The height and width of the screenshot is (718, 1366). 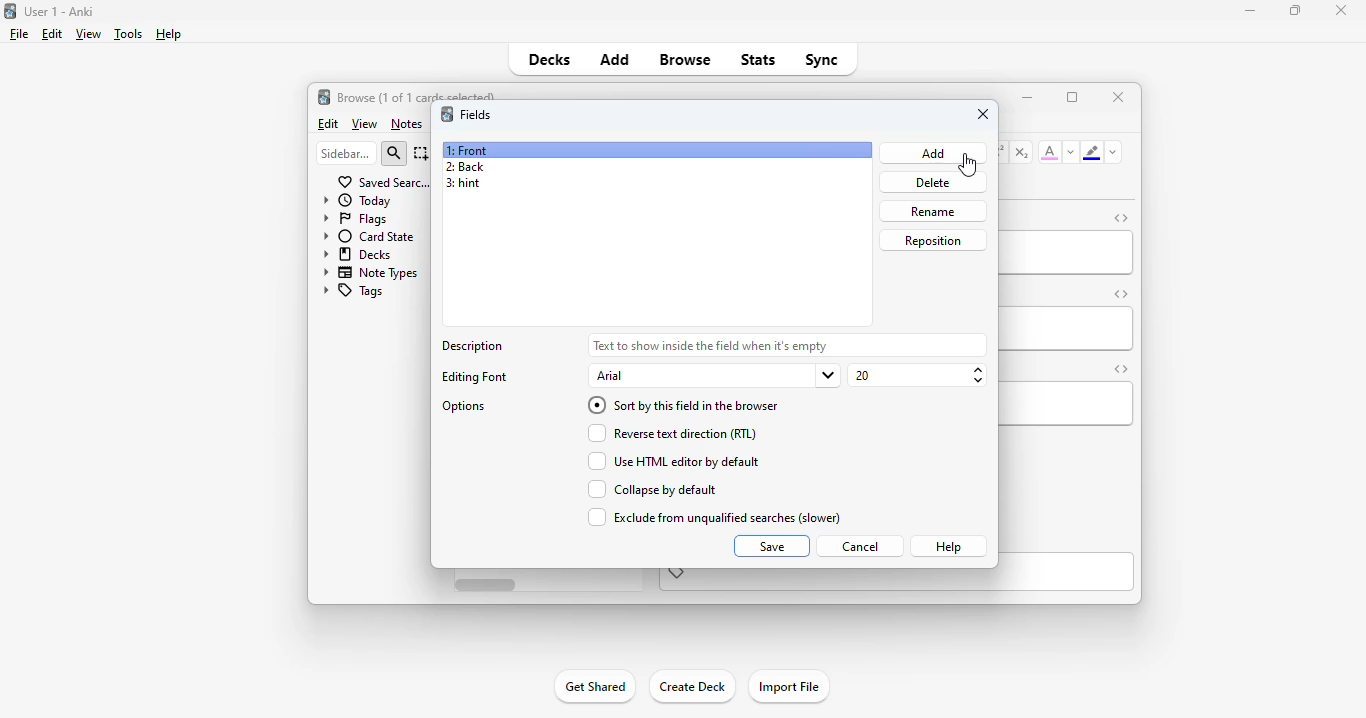 What do you see at coordinates (329, 124) in the screenshot?
I see `edit` at bounding box center [329, 124].